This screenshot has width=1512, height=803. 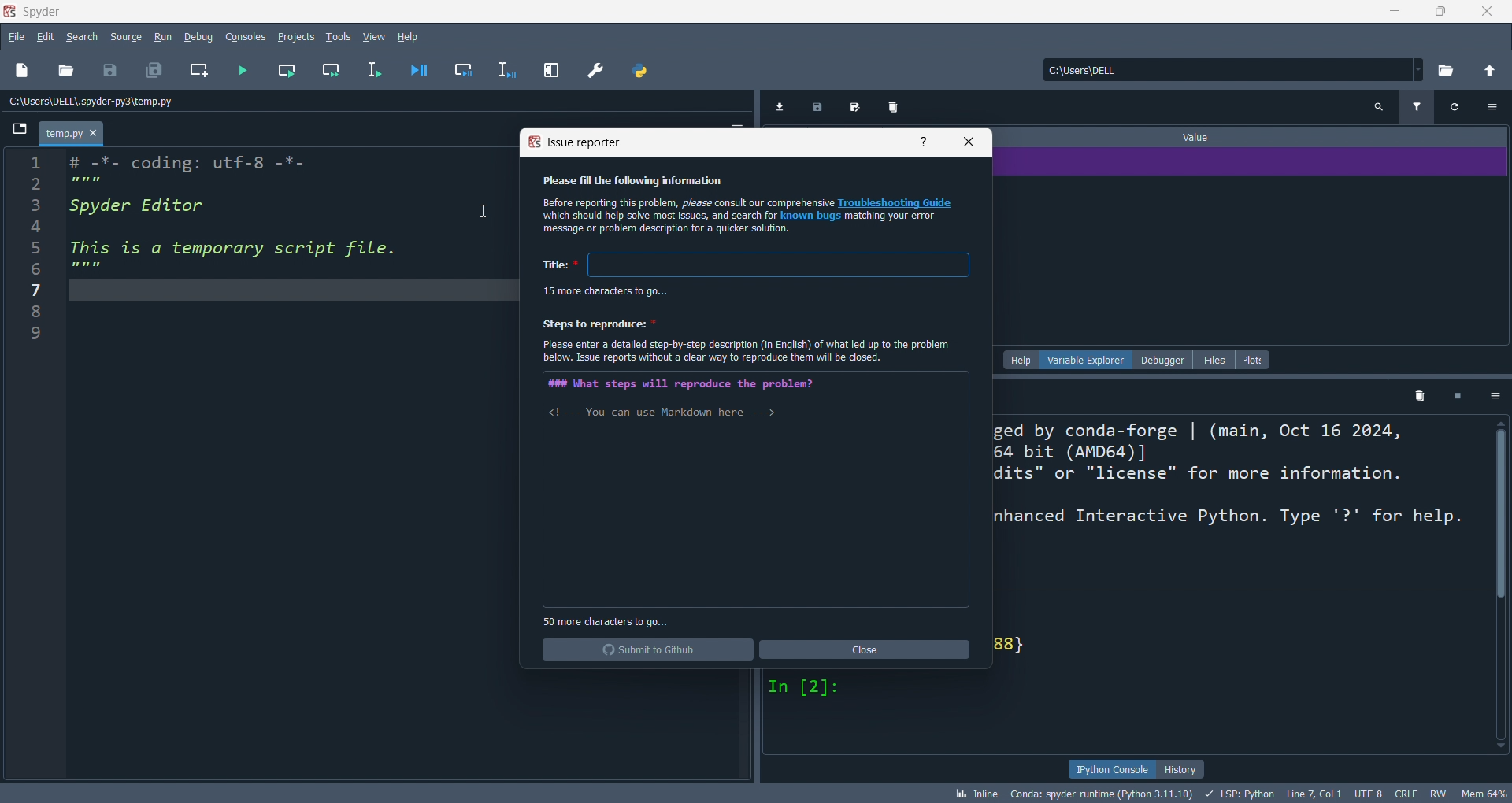 I want to click on file, so click(x=13, y=38).